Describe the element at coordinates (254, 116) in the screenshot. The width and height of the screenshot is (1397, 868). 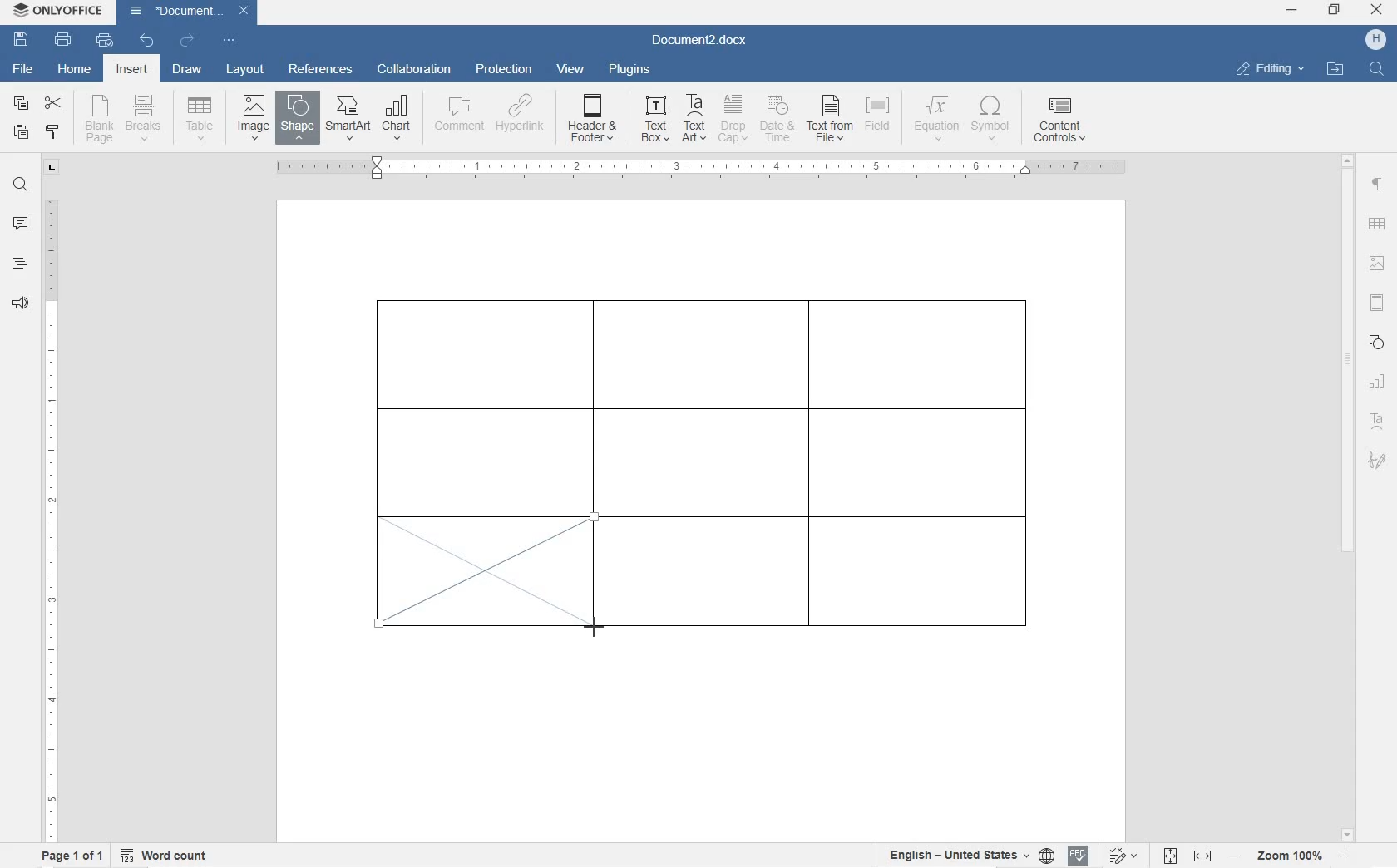
I see `insert image` at that location.